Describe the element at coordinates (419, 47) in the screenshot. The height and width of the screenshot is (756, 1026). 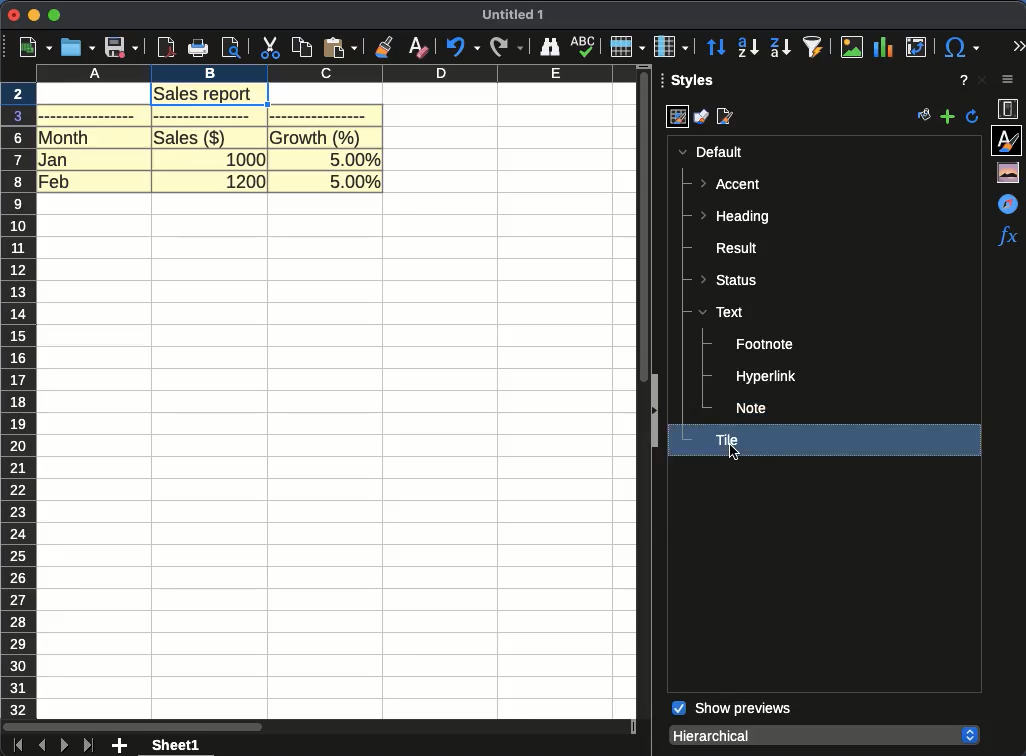
I see `clear formatting` at that location.